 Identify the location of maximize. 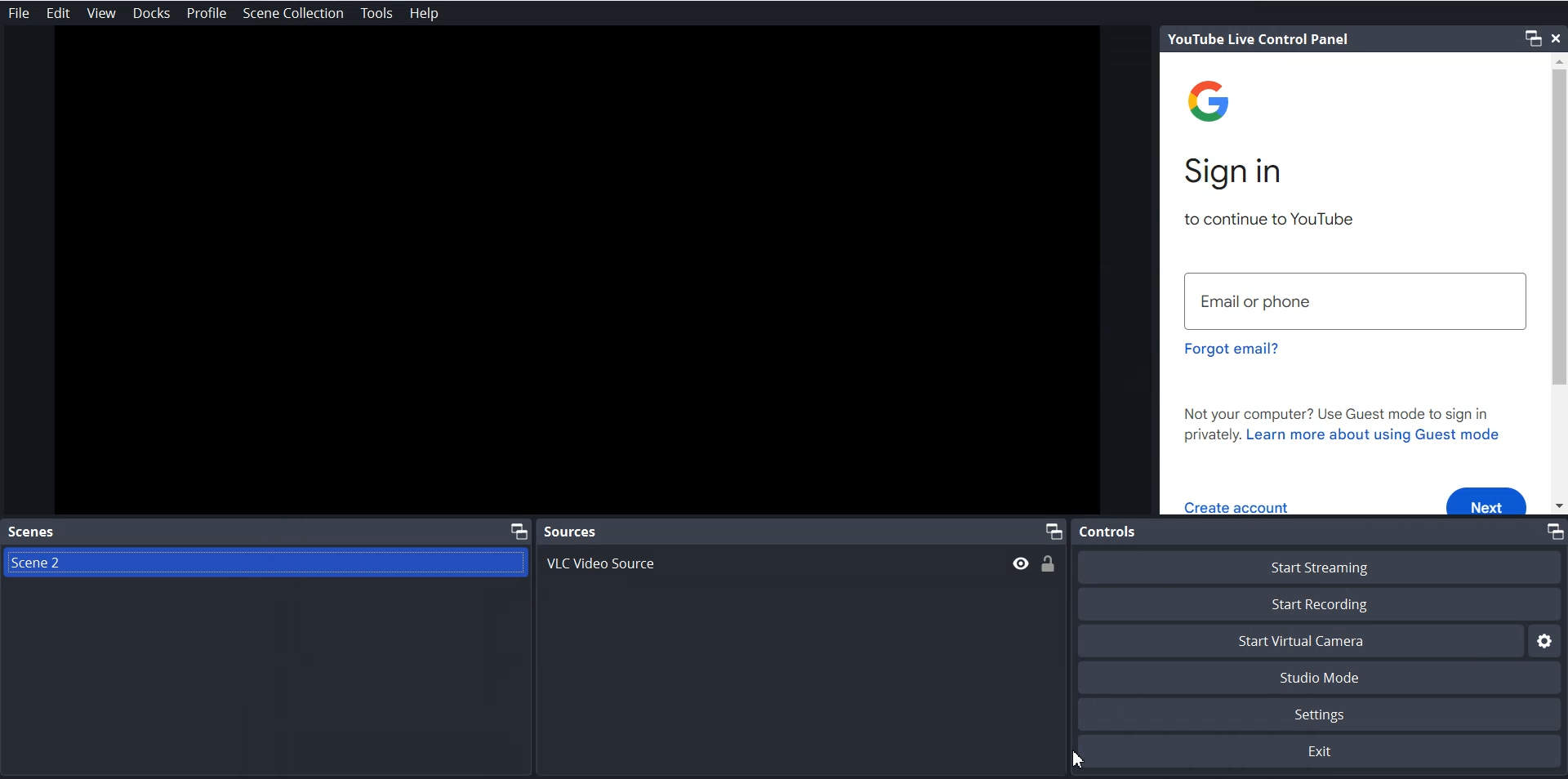
(1535, 38).